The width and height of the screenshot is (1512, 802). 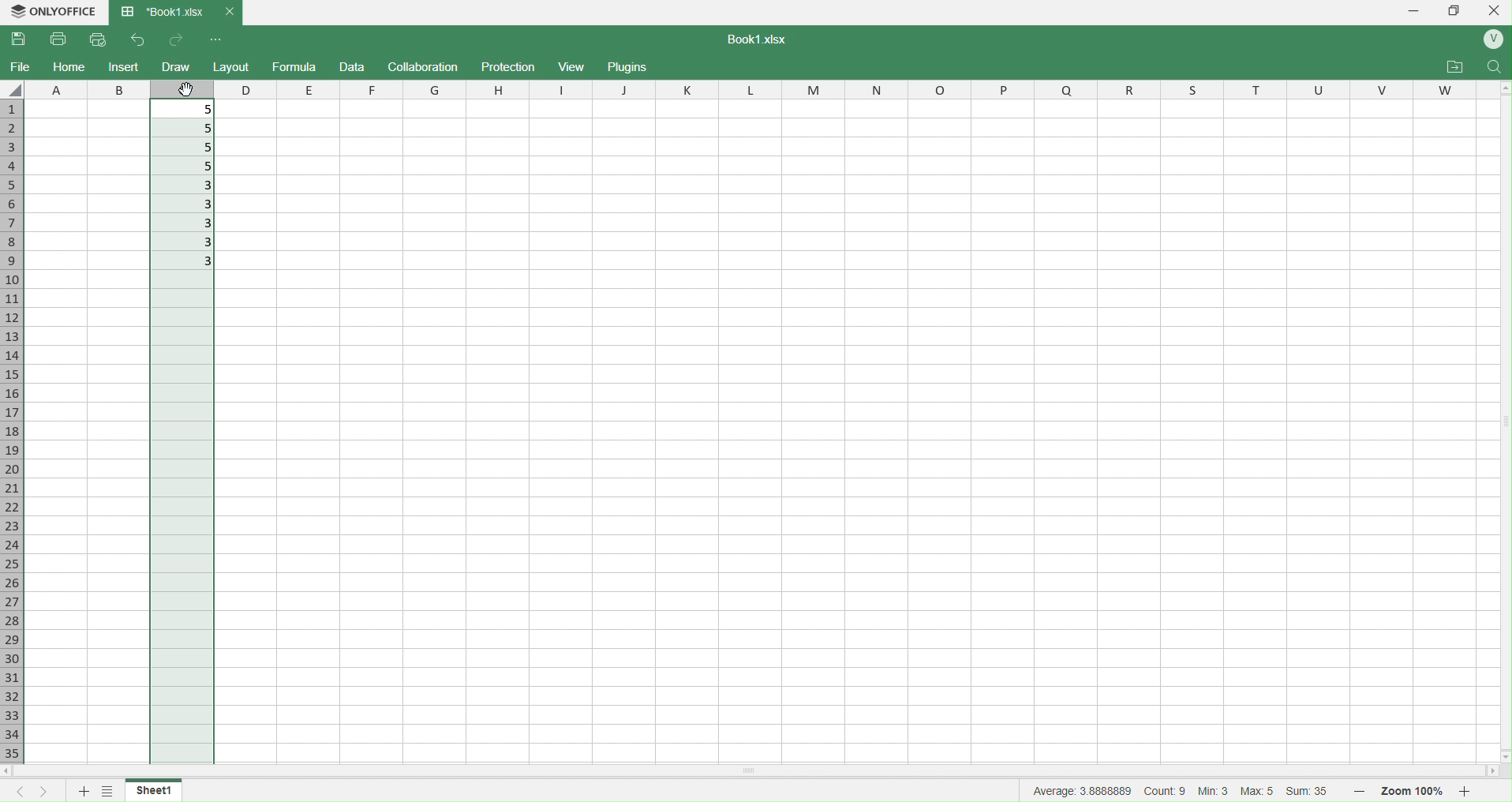 I want to click on next sheet, so click(x=49, y=792).